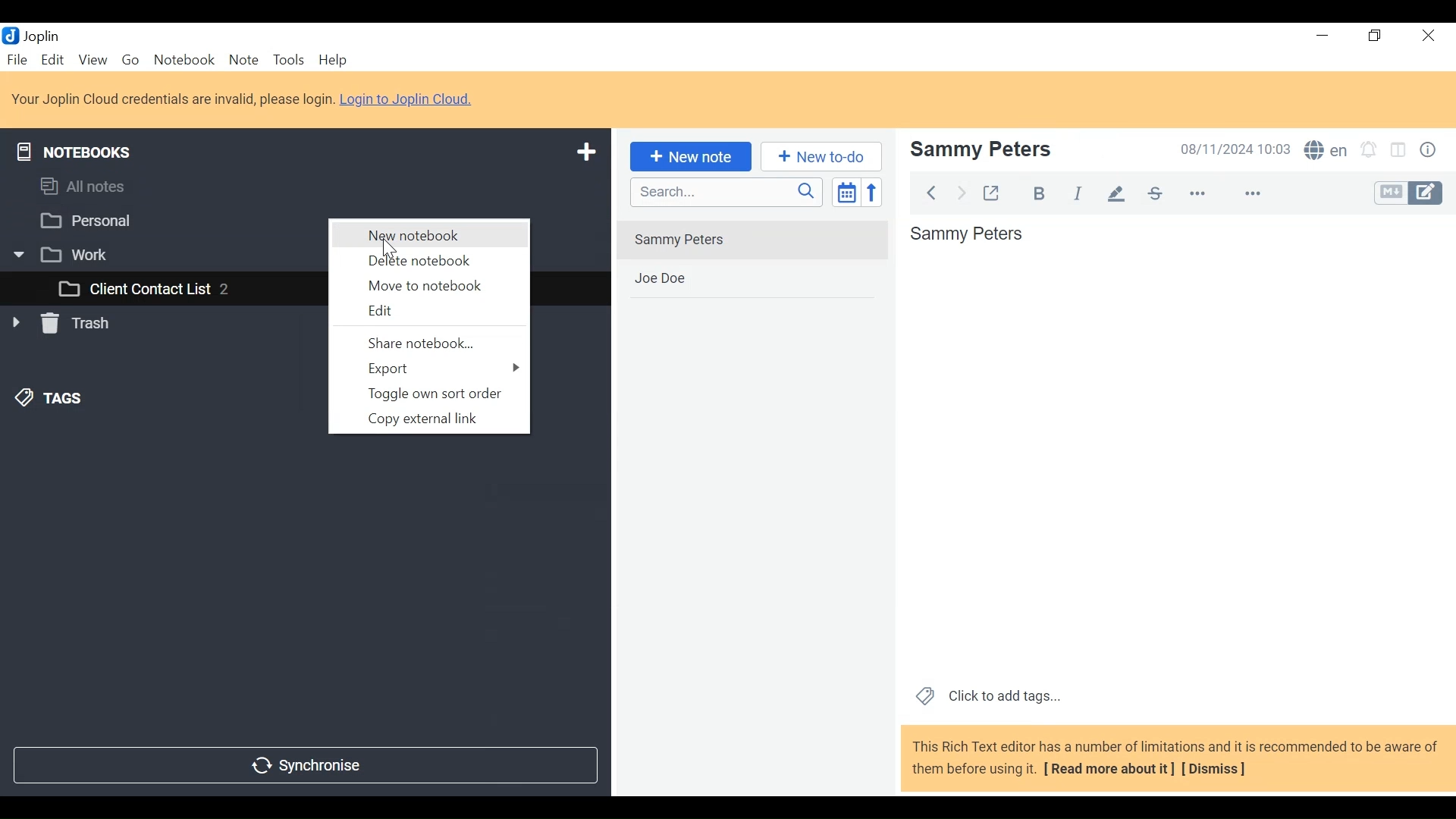 The width and height of the screenshot is (1456, 819). I want to click on Joplin, so click(33, 35).